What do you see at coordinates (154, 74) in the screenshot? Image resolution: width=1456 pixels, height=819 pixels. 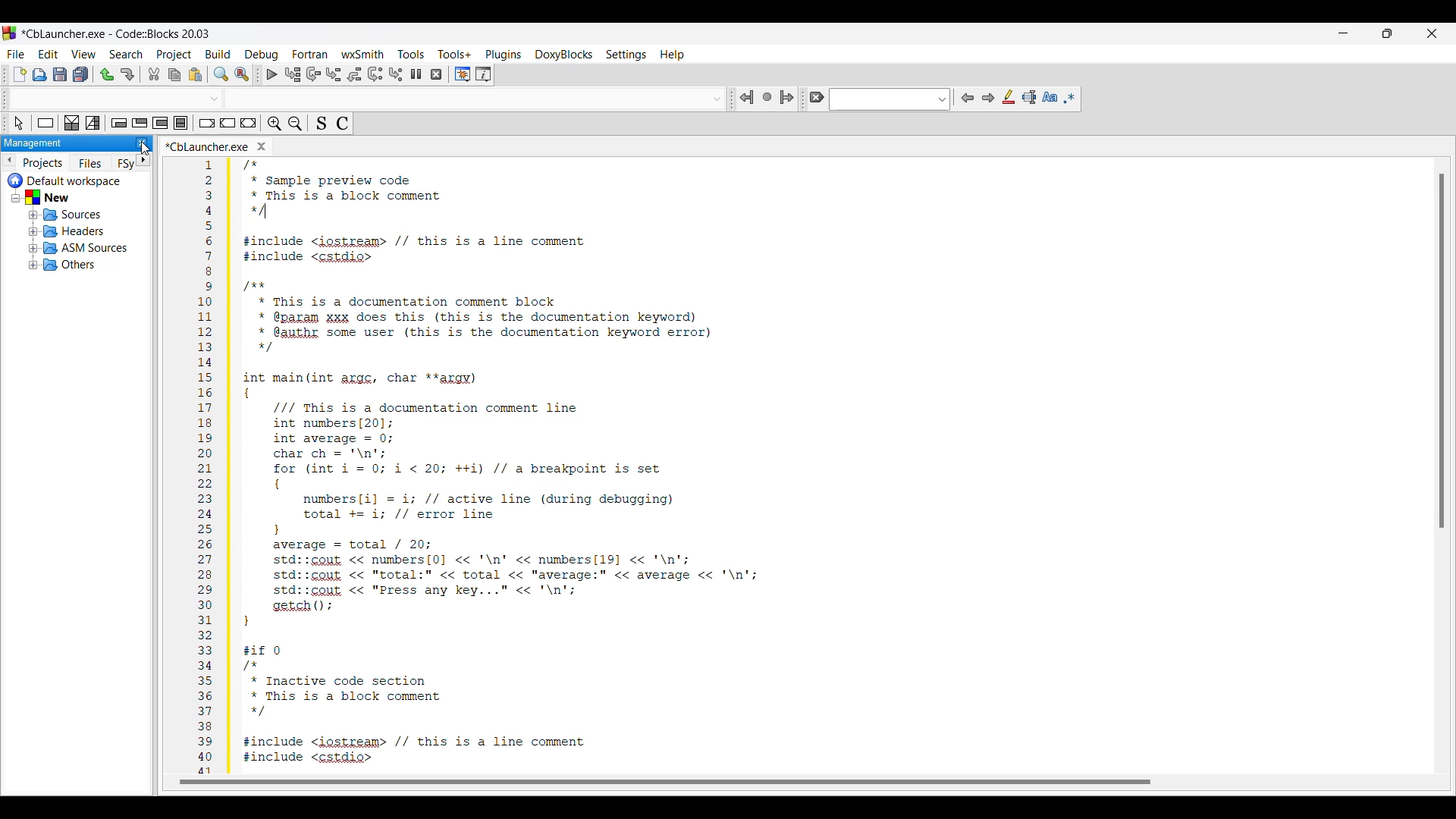 I see `Cut` at bounding box center [154, 74].